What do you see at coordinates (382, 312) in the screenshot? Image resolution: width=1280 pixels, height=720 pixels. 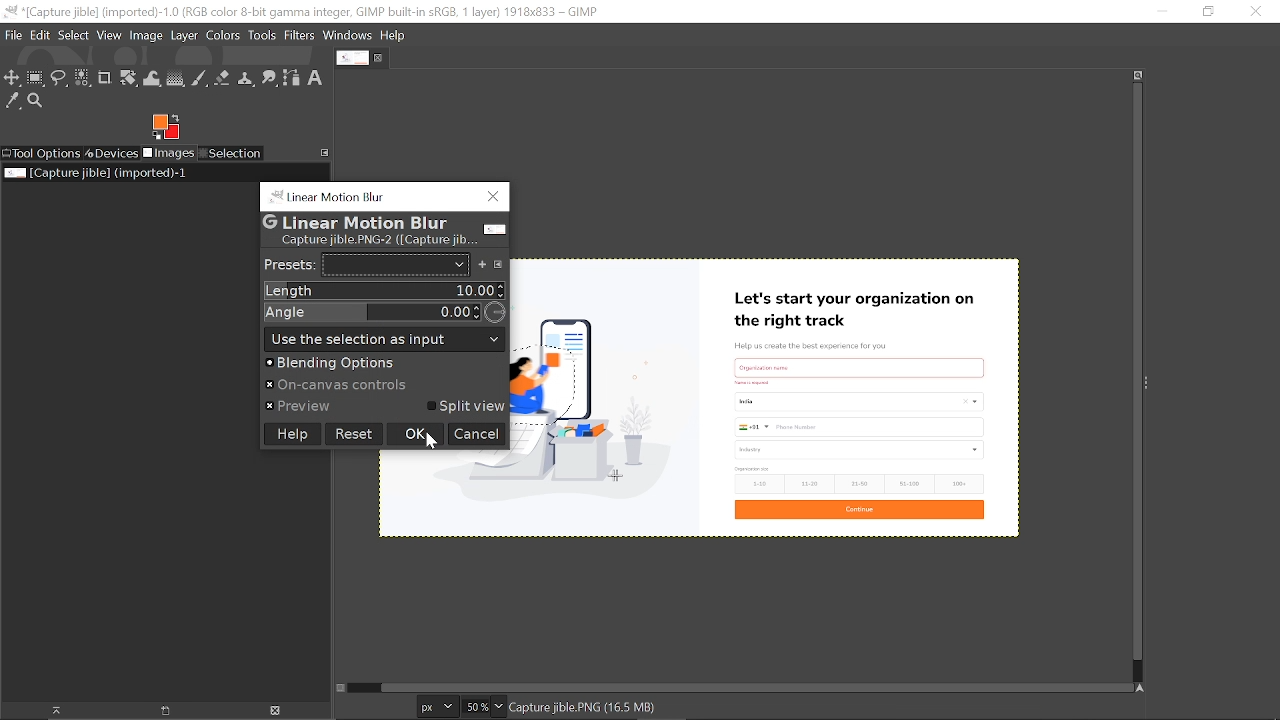 I see `Angle` at bounding box center [382, 312].